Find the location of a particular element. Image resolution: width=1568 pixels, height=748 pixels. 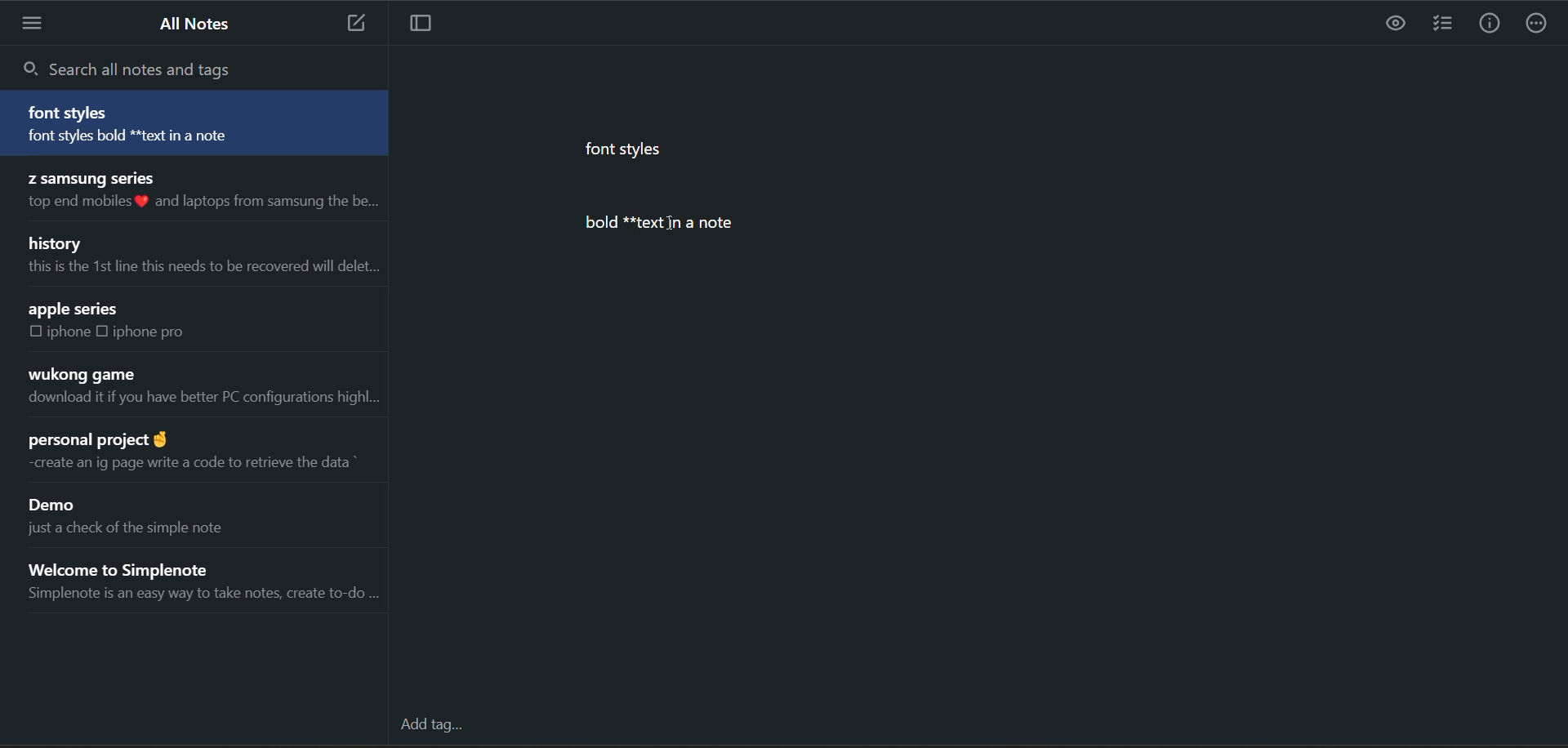

Simplenote is an easy way to take notes, create to-do ... is located at coordinates (202, 597).